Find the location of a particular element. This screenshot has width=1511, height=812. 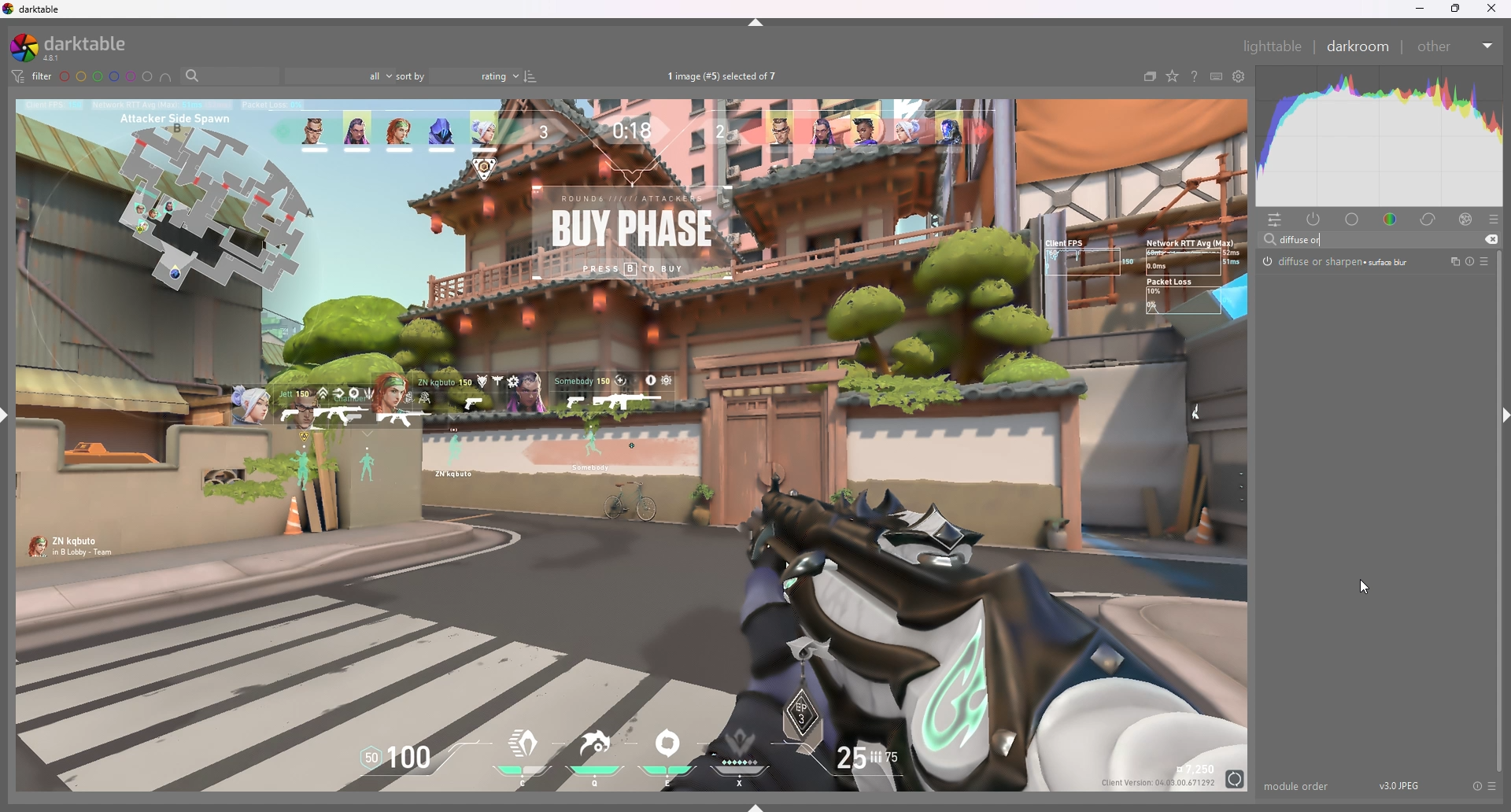

presets is located at coordinates (1493, 786).